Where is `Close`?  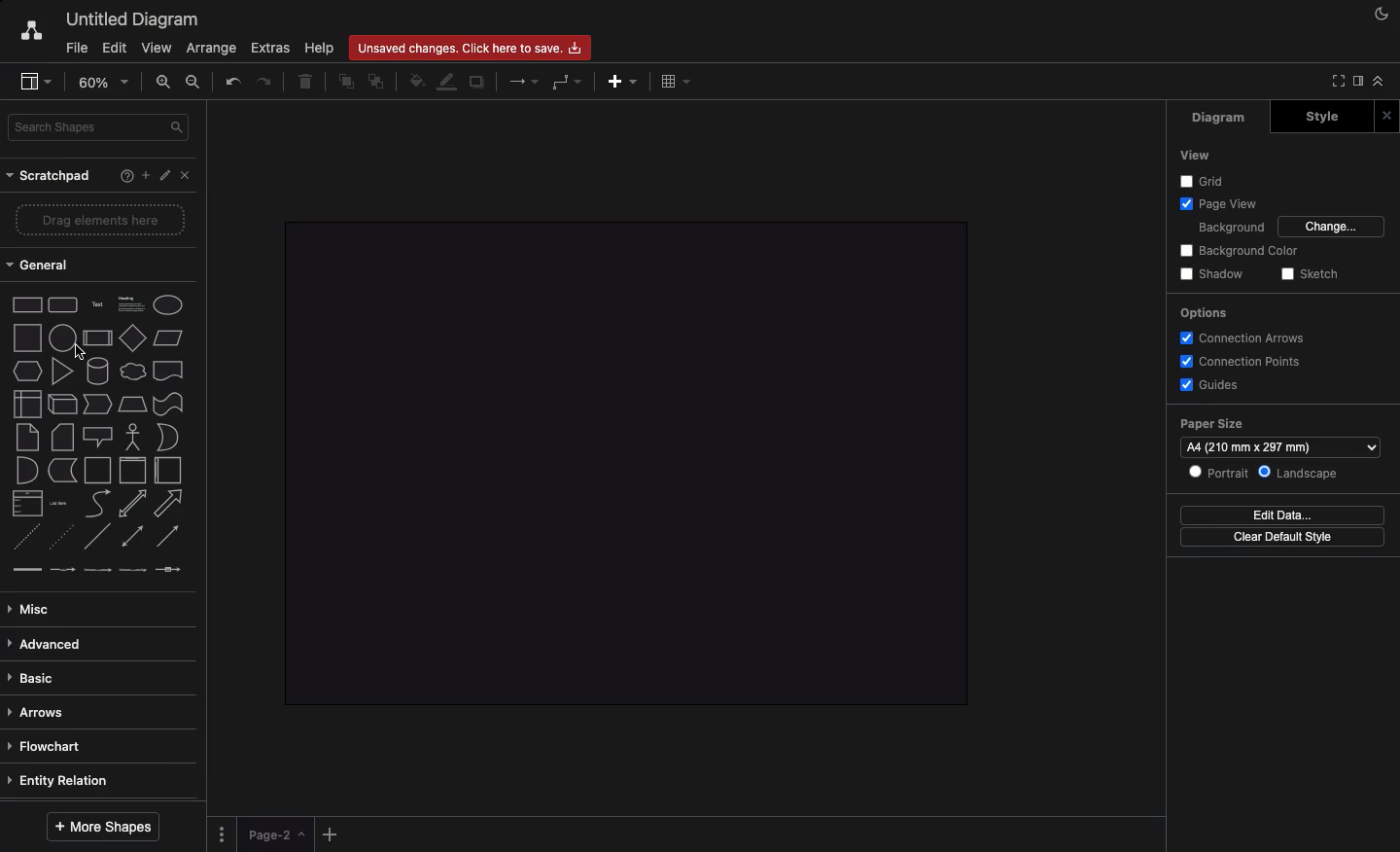
Close is located at coordinates (186, 176).